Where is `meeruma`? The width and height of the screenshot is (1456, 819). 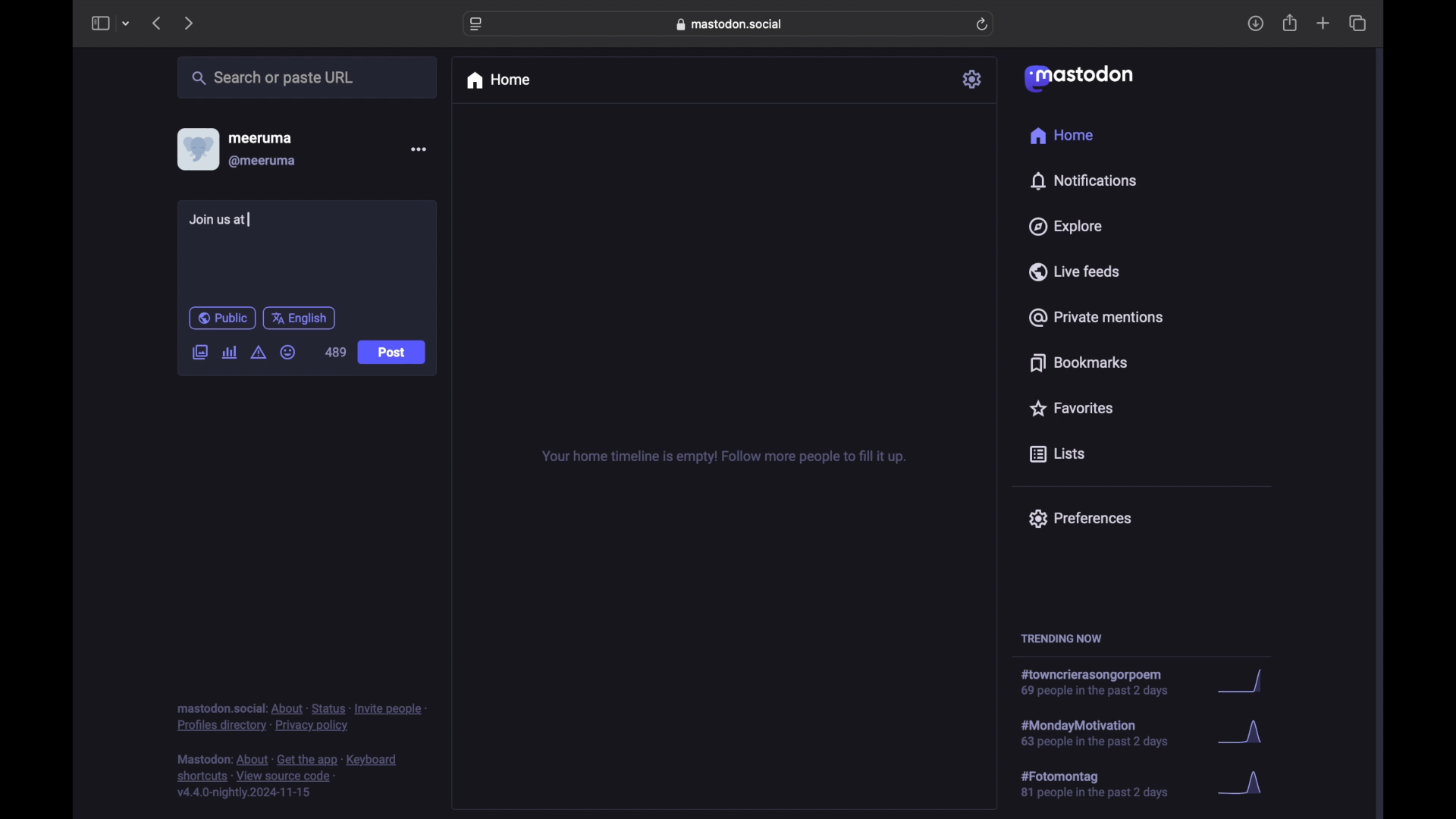 meeruma is located at coordinates (260, 137).